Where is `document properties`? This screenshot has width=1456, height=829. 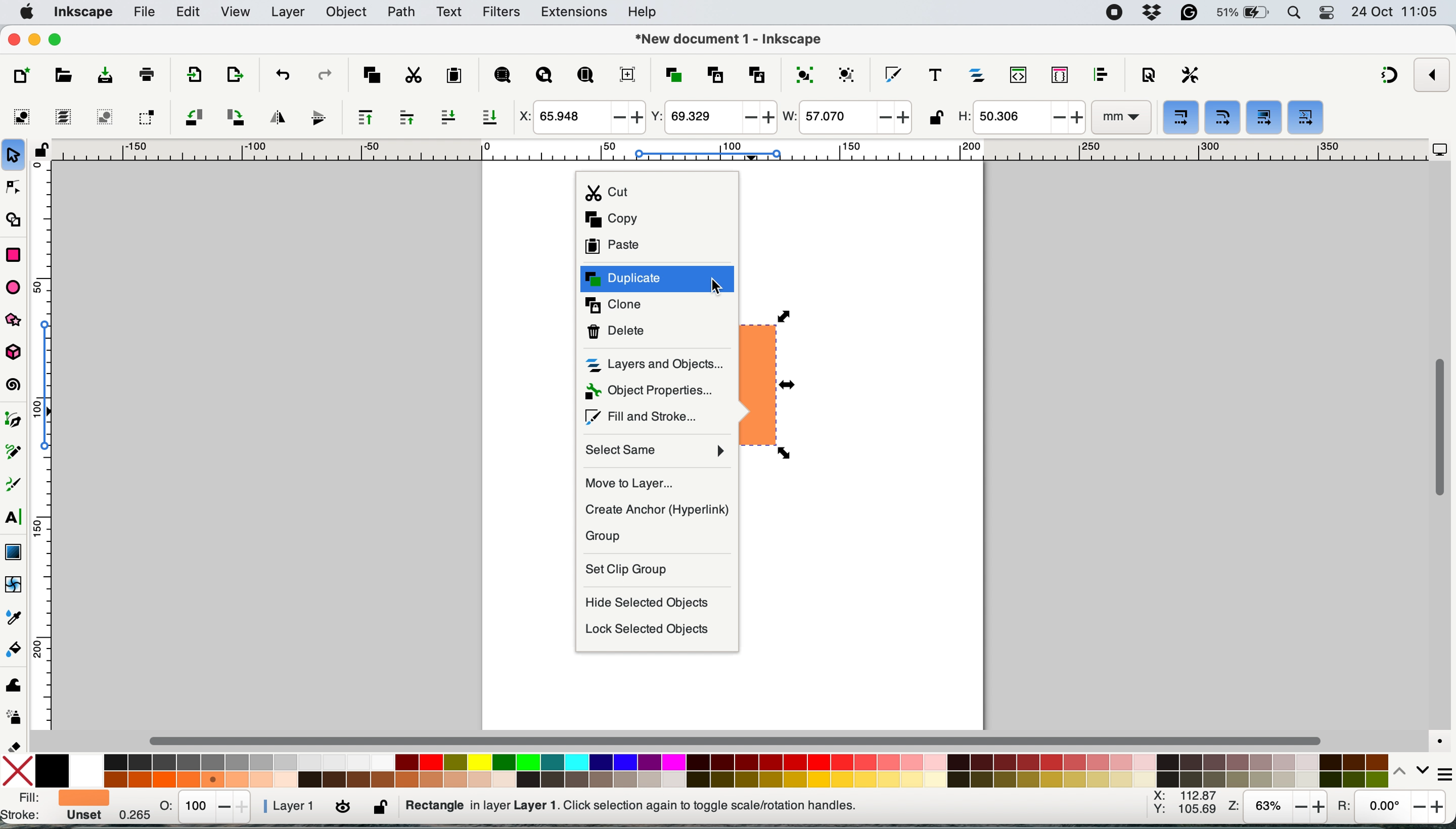 document properties is located at coordinates (1148, 76).